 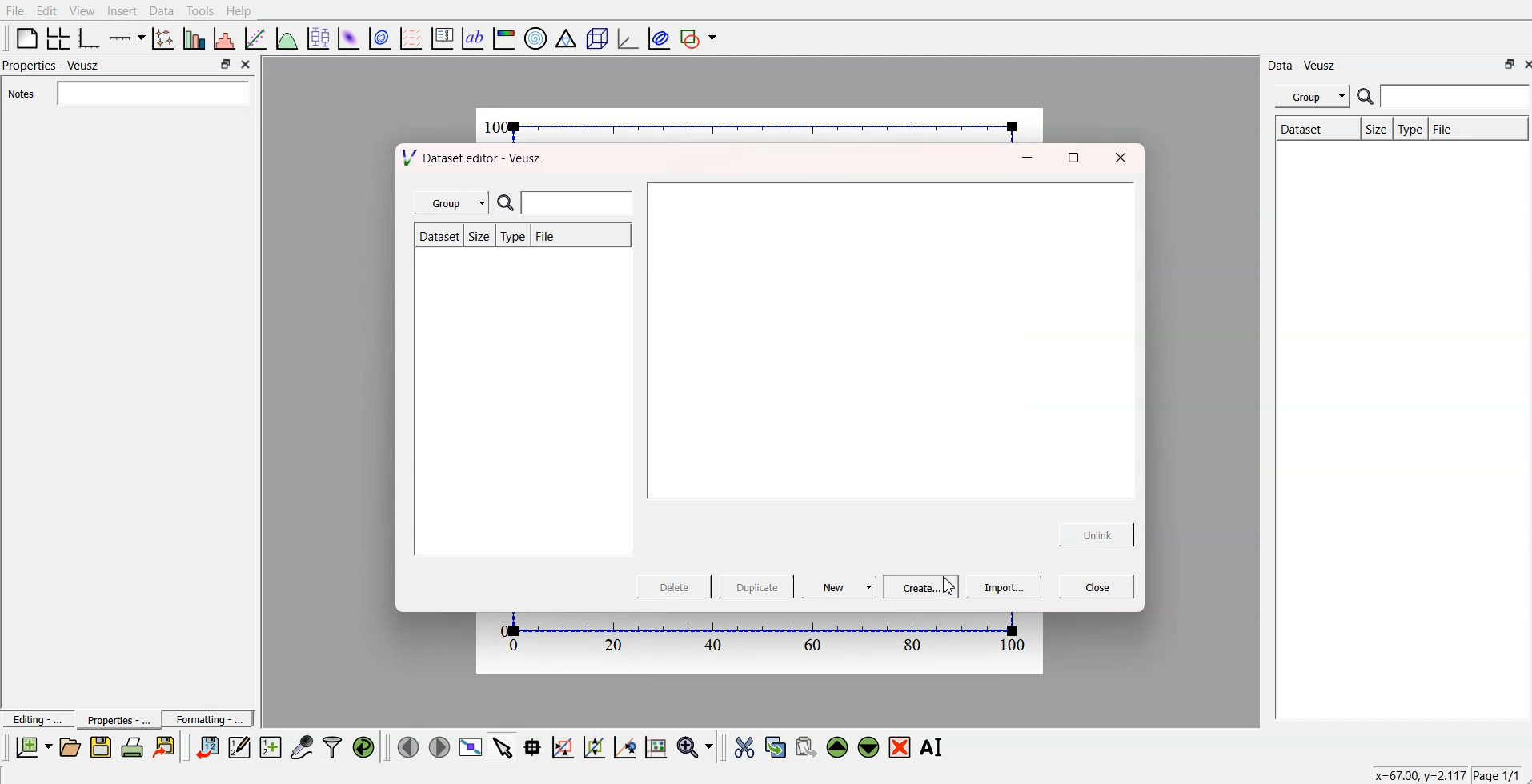 What do you see at coordinates (1072, 161) in the screenshot?
I see `Maximize` at bounding box center [1072, 161].